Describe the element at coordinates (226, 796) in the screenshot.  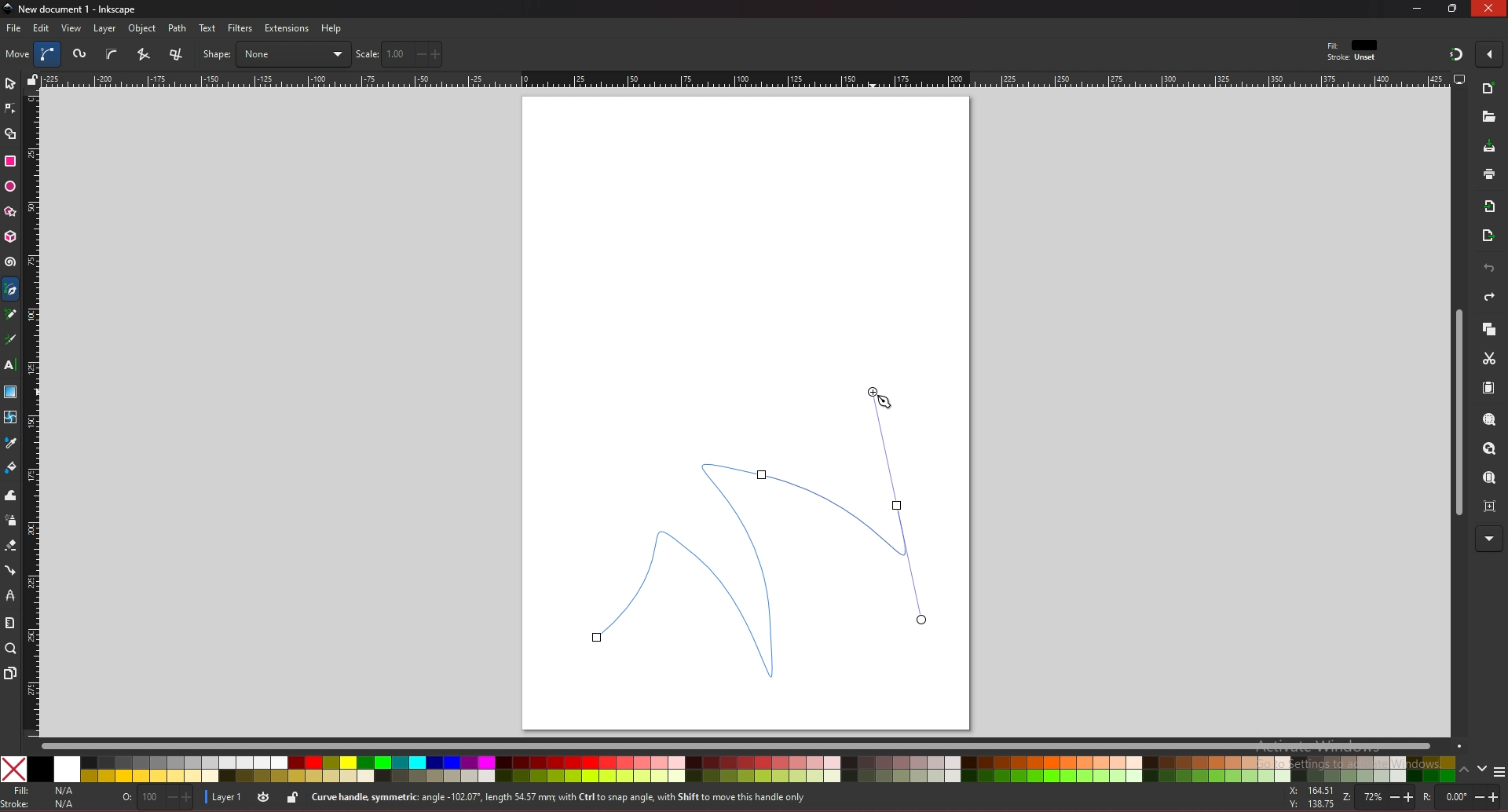
I see `layer` at that location.